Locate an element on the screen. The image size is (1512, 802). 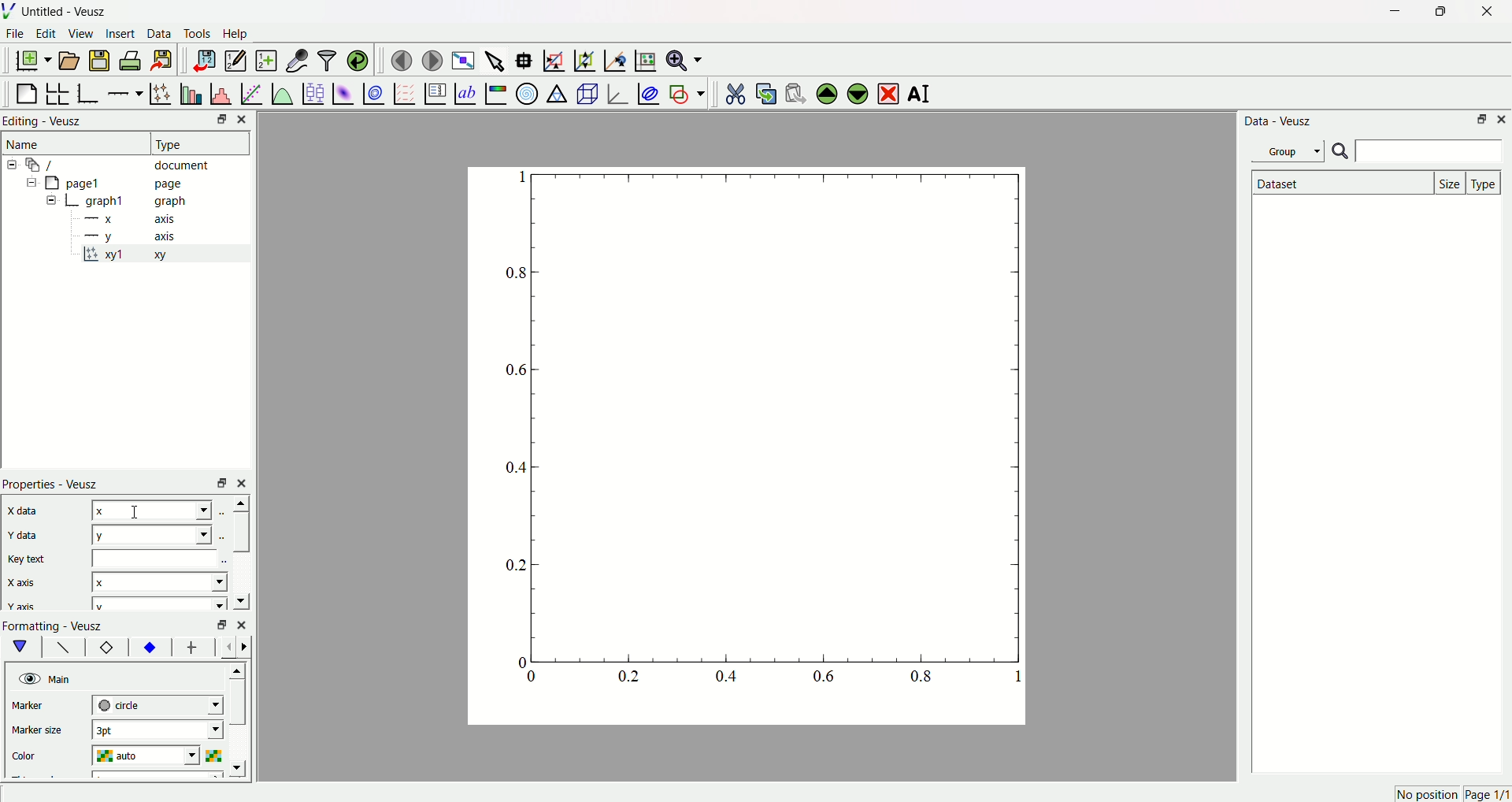
Close is located at coordinates (1503, 120).